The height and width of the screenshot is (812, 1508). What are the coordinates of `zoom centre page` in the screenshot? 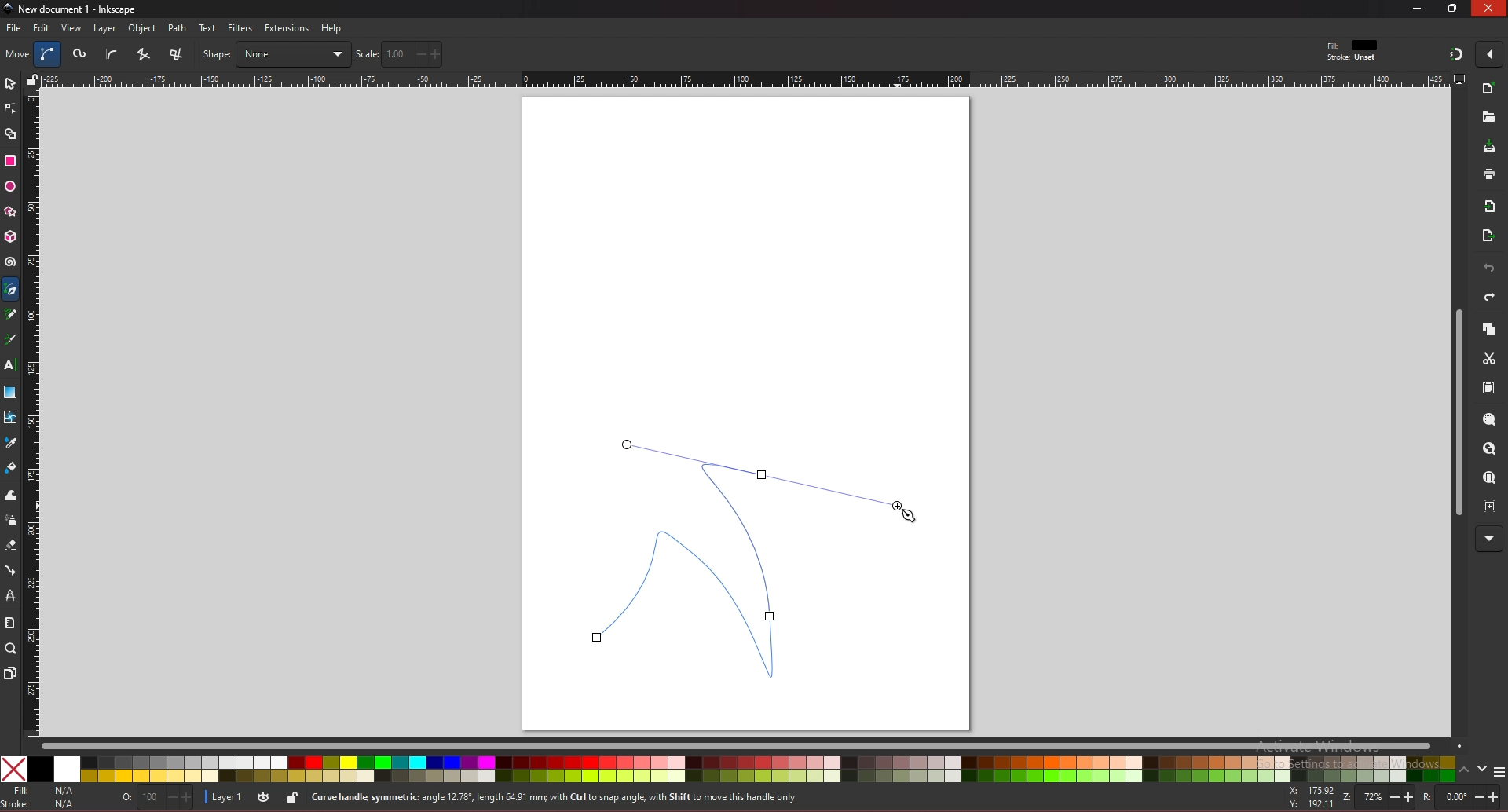 It's located at (1492, 505).